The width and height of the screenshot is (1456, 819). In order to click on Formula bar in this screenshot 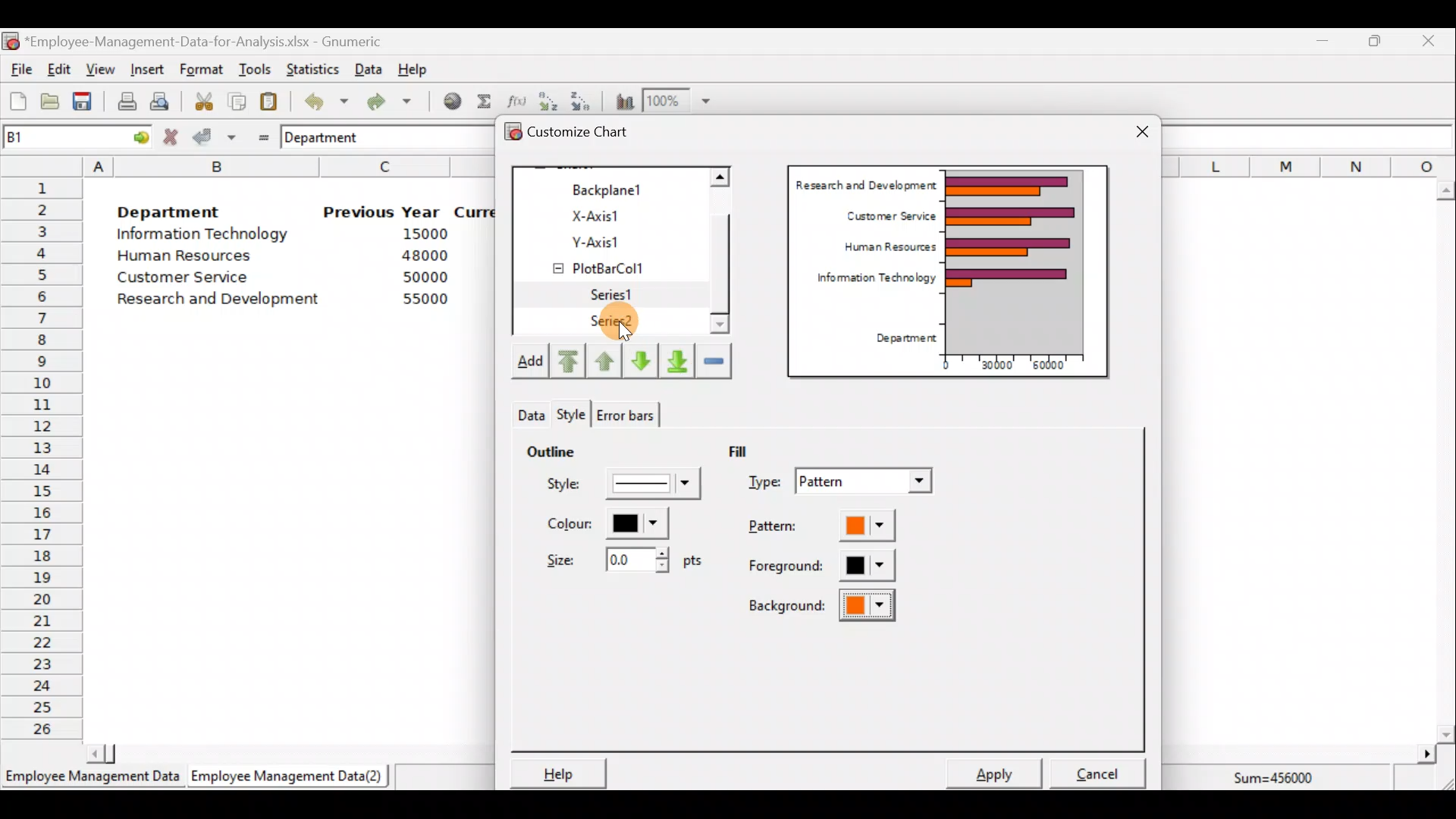, I will do `click(1312, 136)`.